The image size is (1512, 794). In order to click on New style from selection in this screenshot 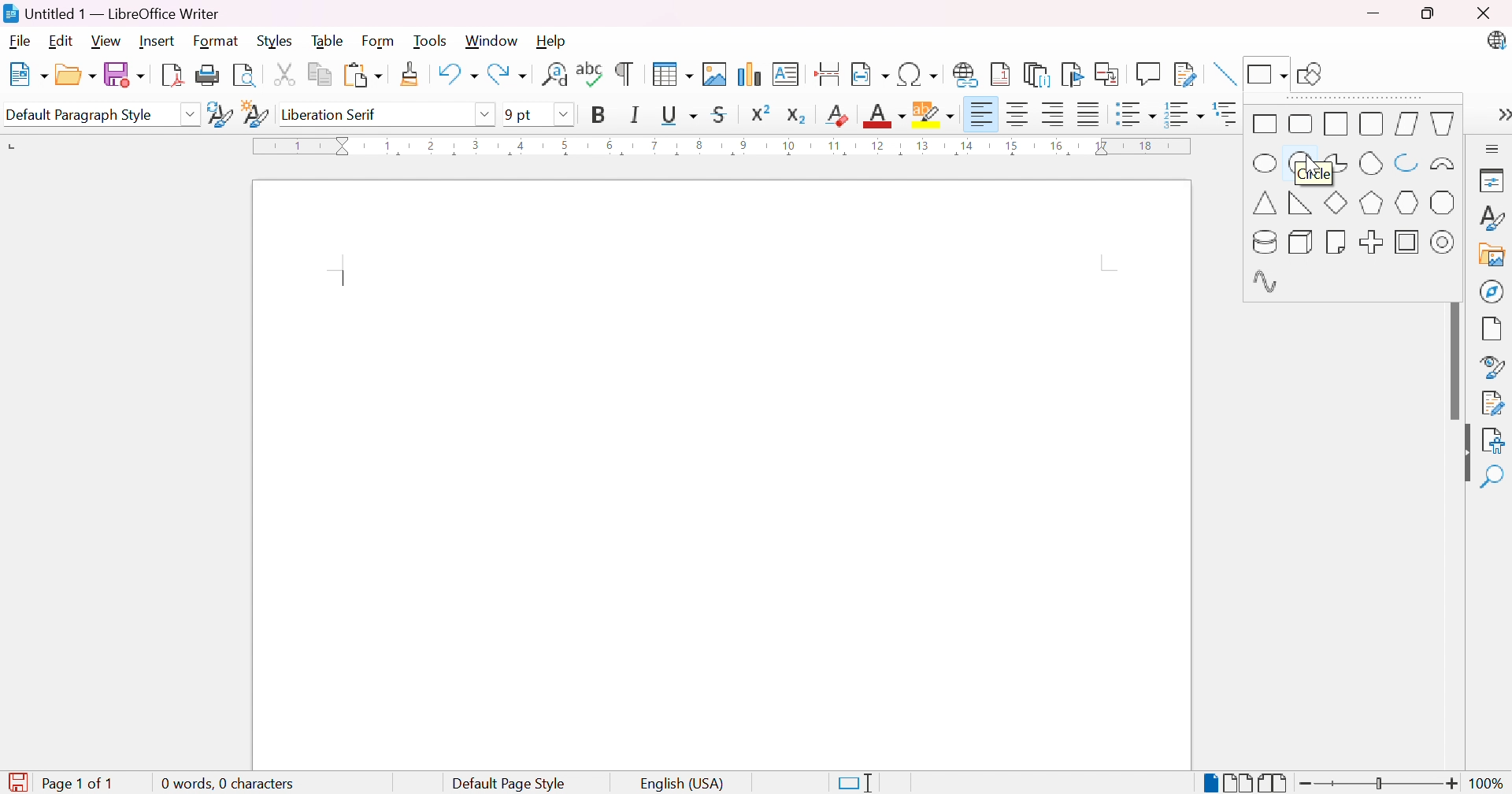, I will do `click(255, 116)`.